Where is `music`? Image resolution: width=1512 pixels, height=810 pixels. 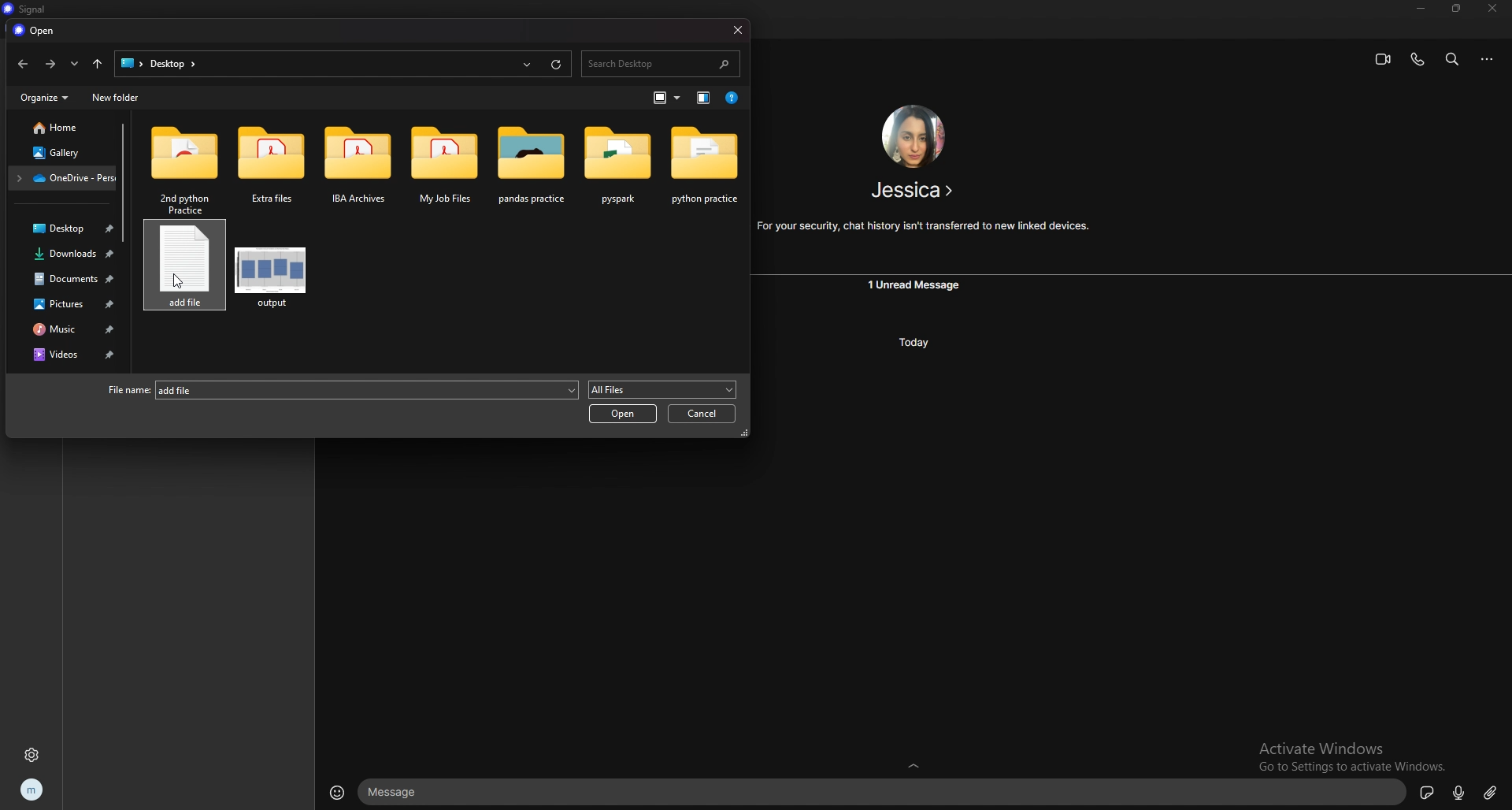
music is located at coordinates (65, 330).